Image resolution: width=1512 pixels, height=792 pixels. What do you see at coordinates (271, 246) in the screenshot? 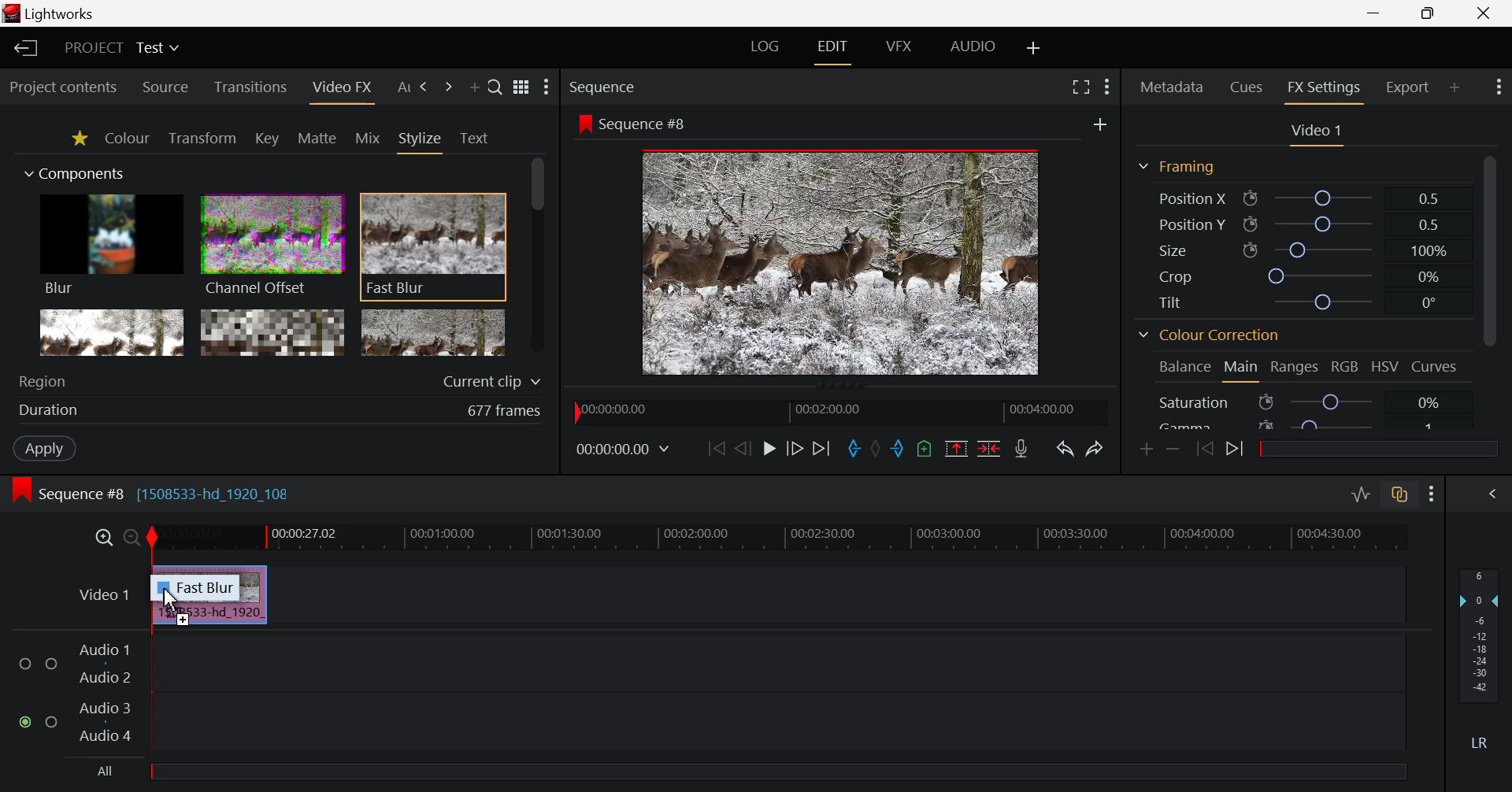
I see `Channel Offset` at bounding box center [271, 246].